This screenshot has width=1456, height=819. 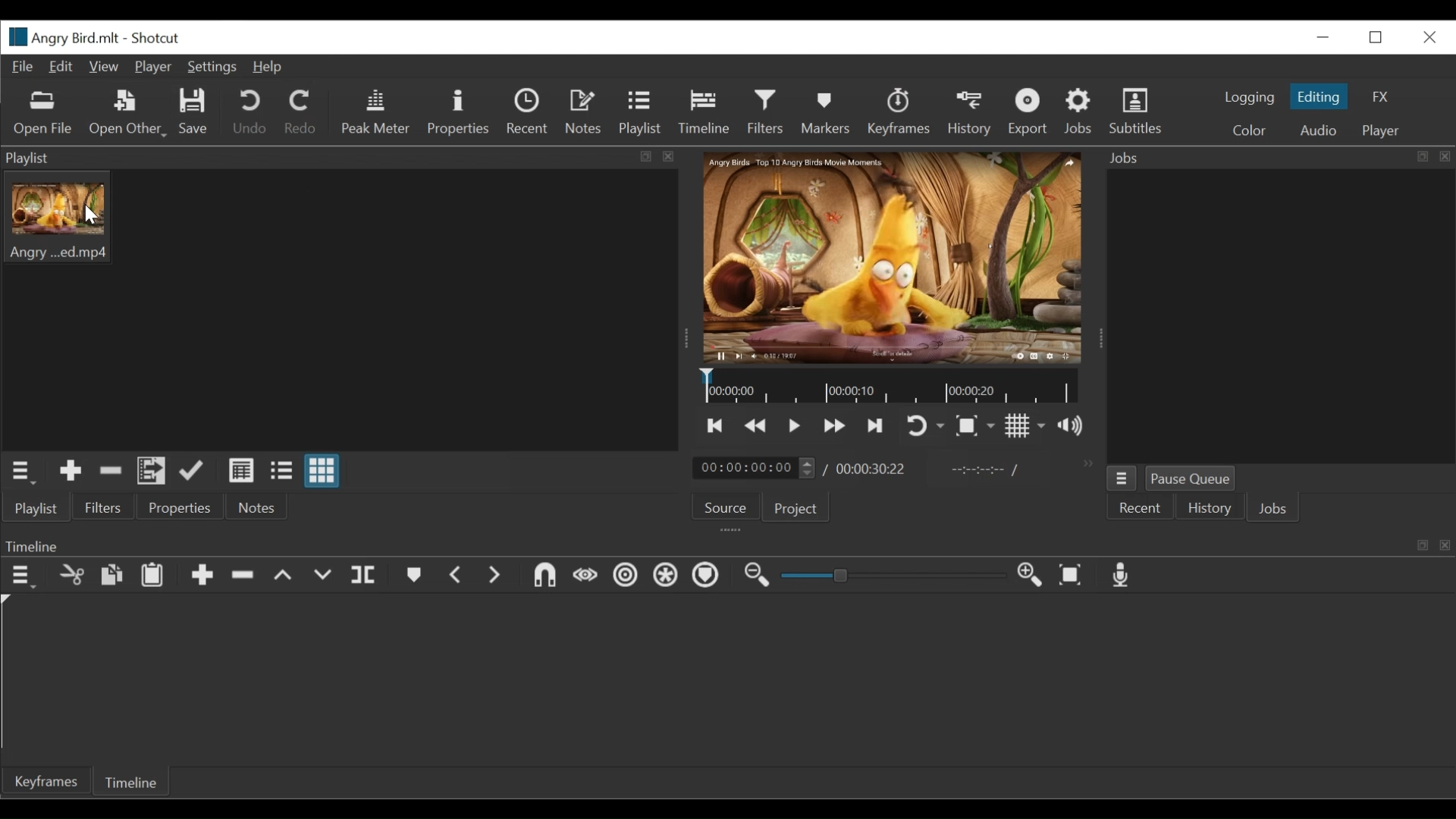 I want to click on Shotcut, so click(x=158, y=38).